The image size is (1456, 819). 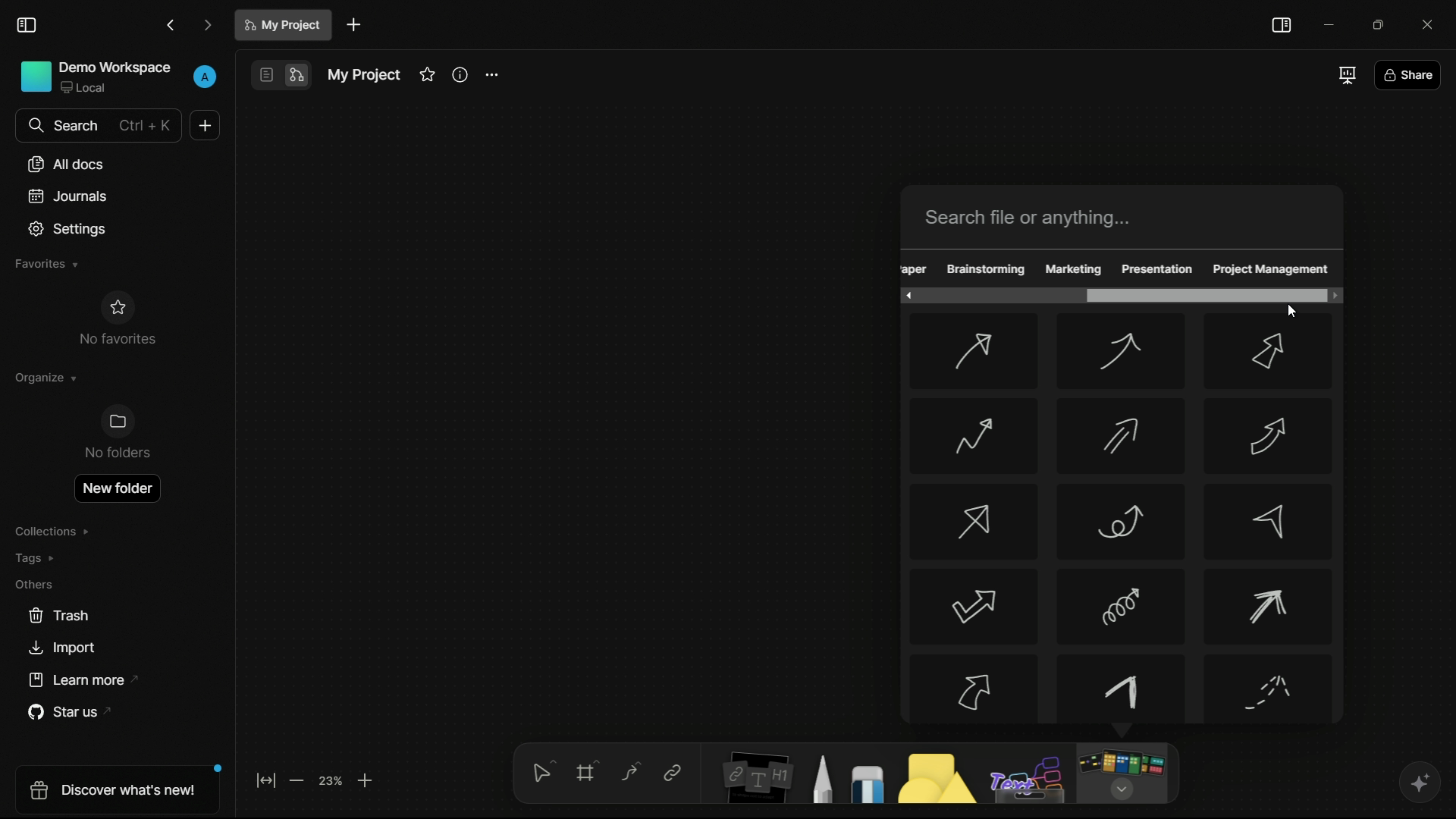 What do you see at coordinates (116, 432) in the screenshot?
I see `no folders` at bounding box center [116, 432].